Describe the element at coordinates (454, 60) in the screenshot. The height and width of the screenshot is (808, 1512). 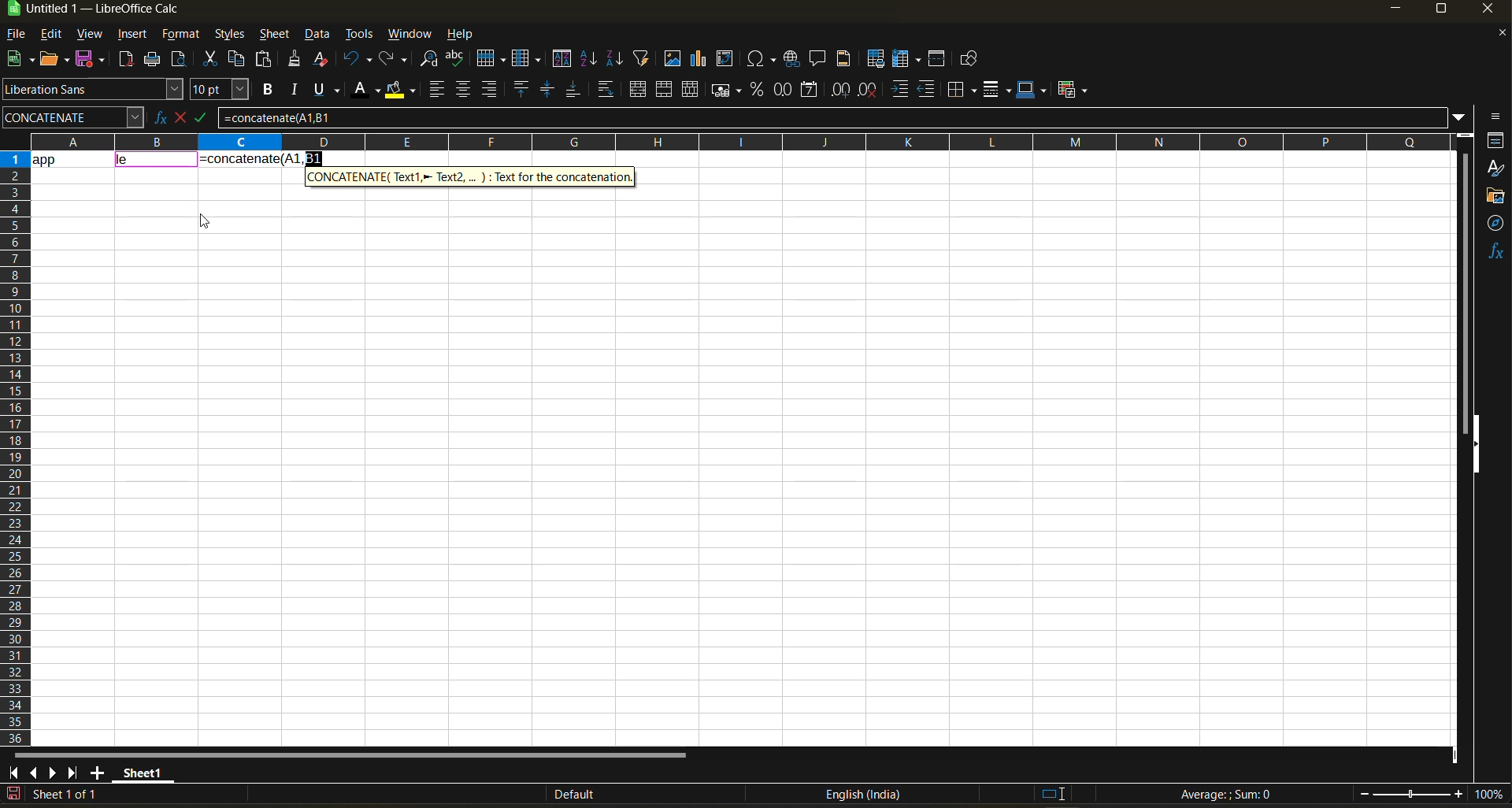
I see `spelling` at that location.